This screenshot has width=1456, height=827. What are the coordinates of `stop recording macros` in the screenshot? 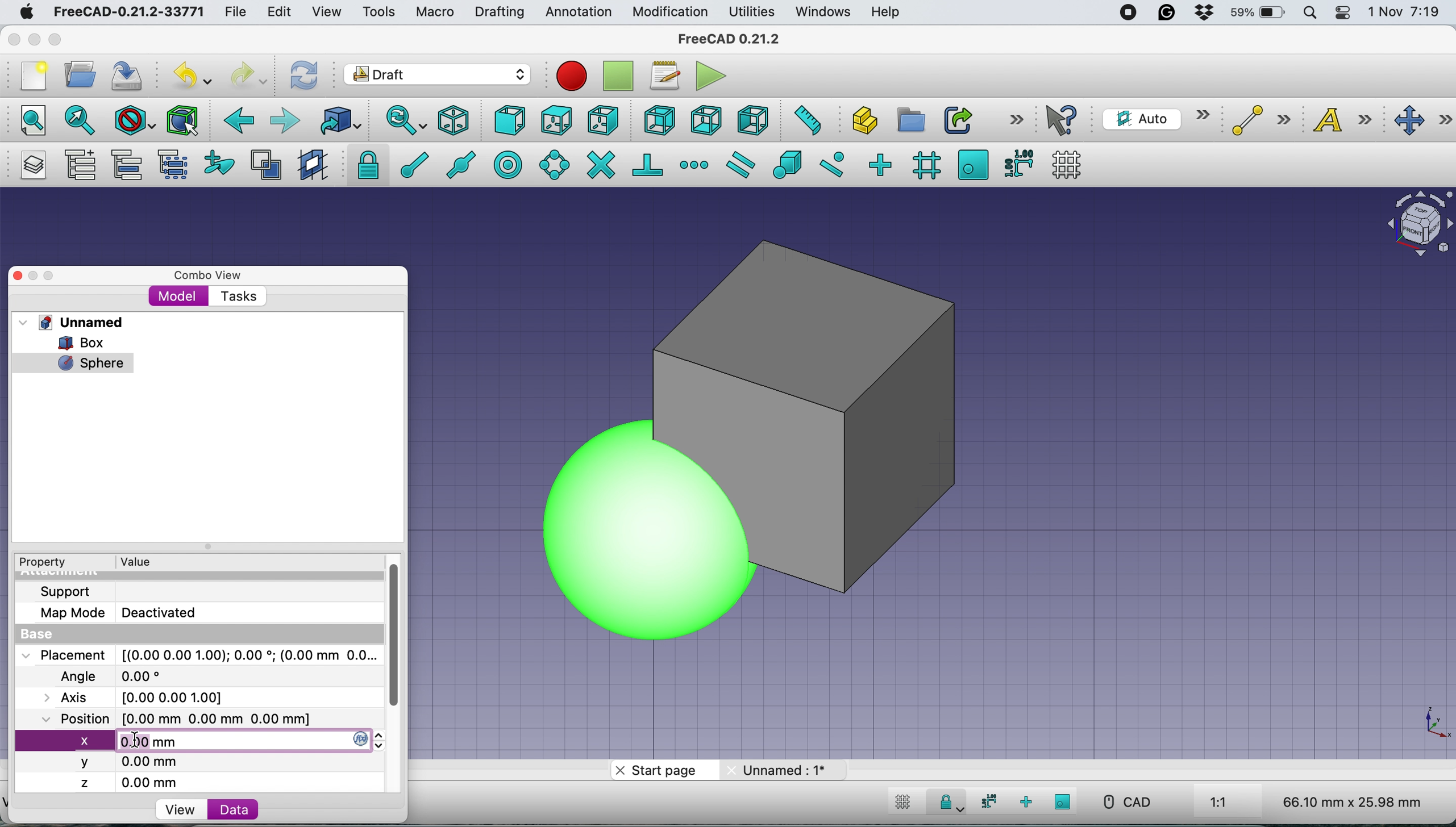 It's located at (621, 76).